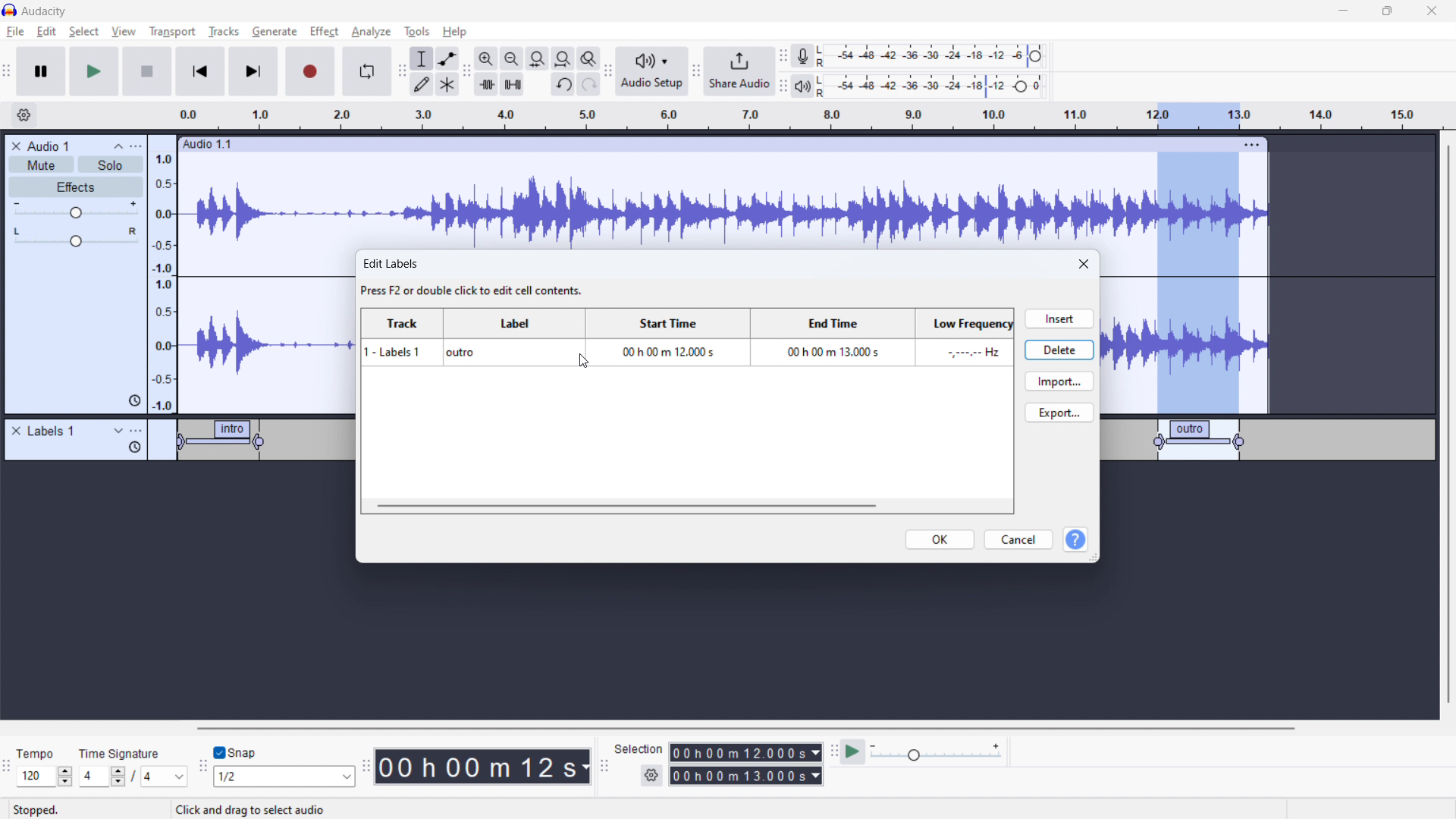 The width and height of the screenshot is (1456, 819). I want to click on effect, so click(325, 32).